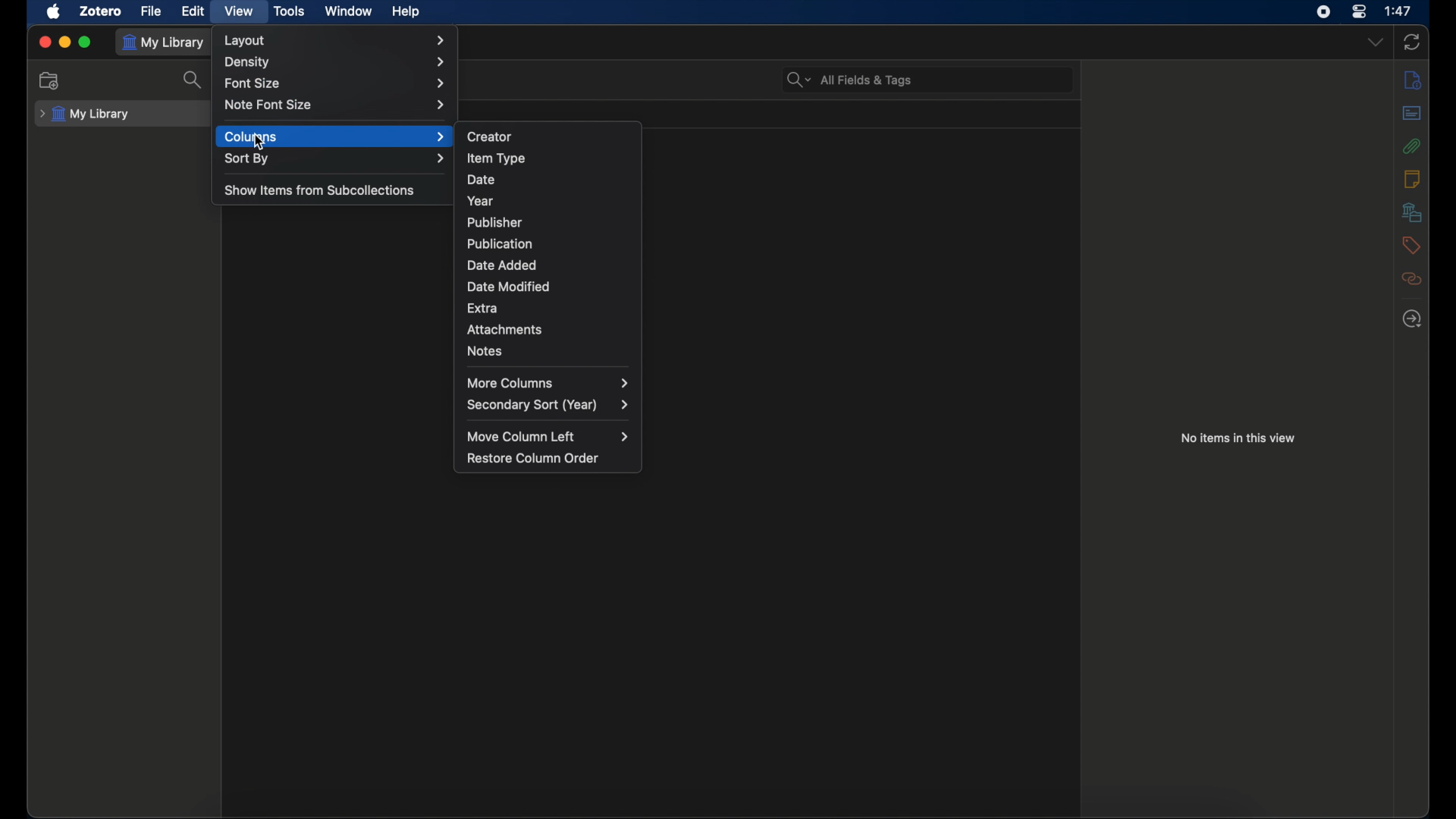  Describe the element at coordinates (1323, 11) in the screenshot. I see `screen recorder` at that location.